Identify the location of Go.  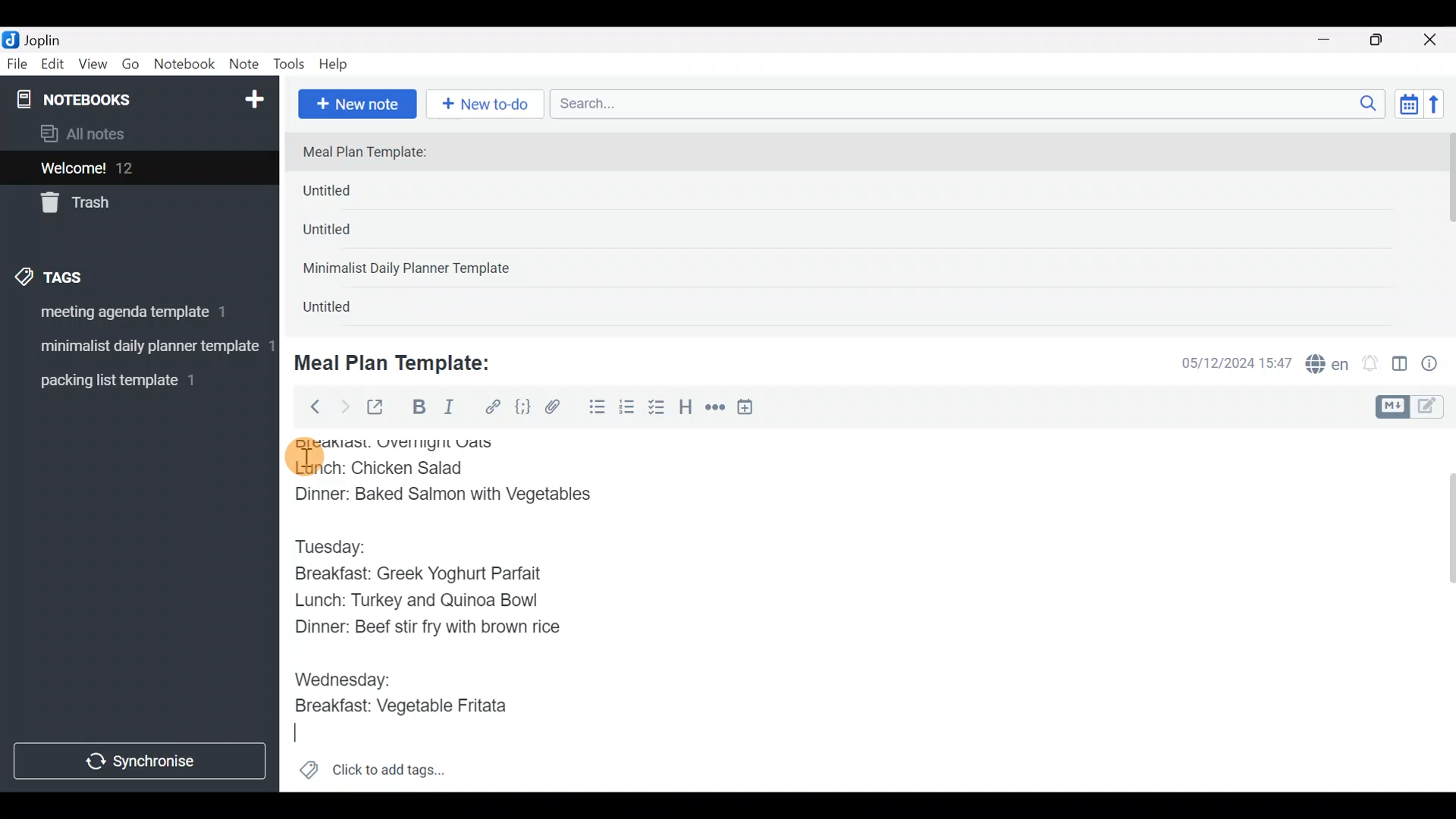
(130, 67).